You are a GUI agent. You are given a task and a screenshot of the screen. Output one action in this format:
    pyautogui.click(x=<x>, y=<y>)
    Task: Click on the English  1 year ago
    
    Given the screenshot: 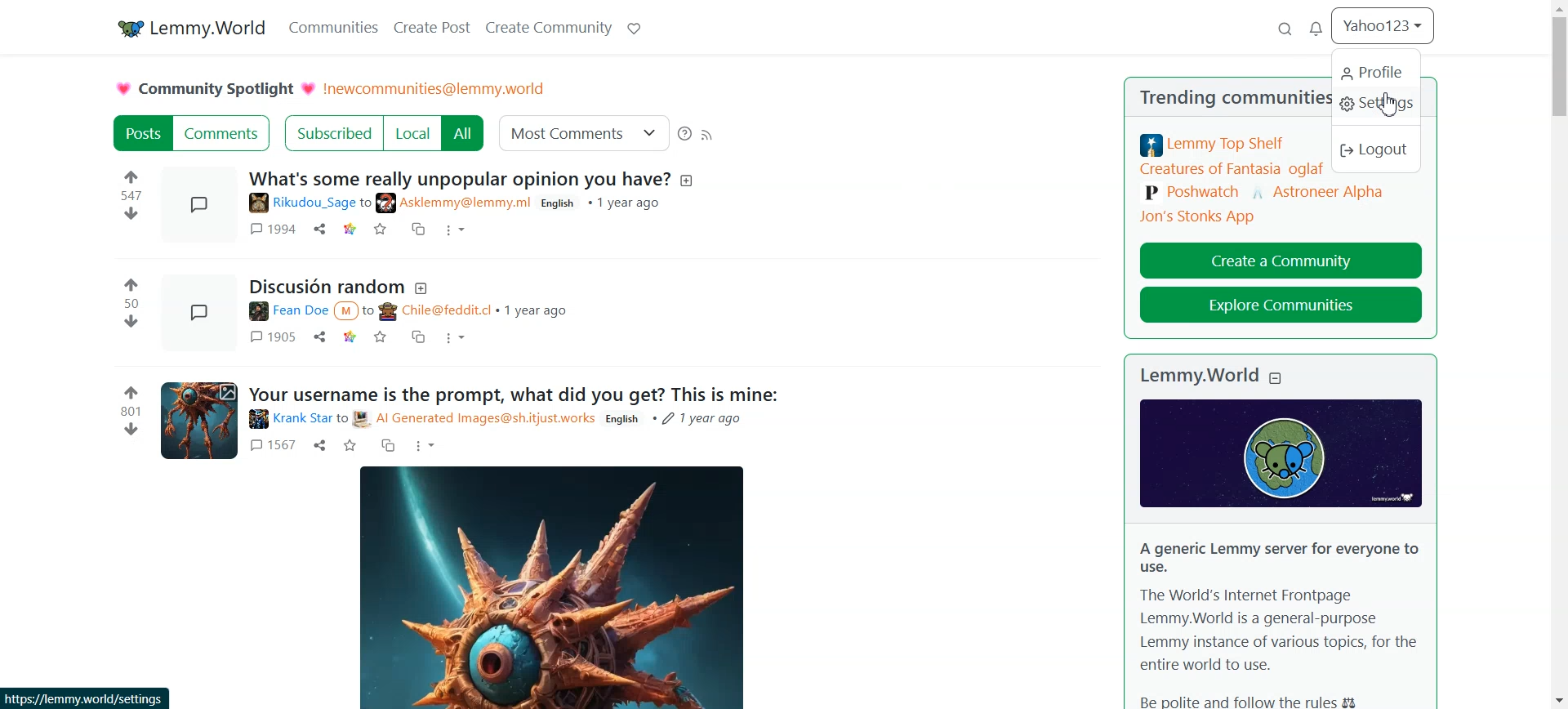 What is the action you would take?
    pyautogui.click(x=602, y=203)
    